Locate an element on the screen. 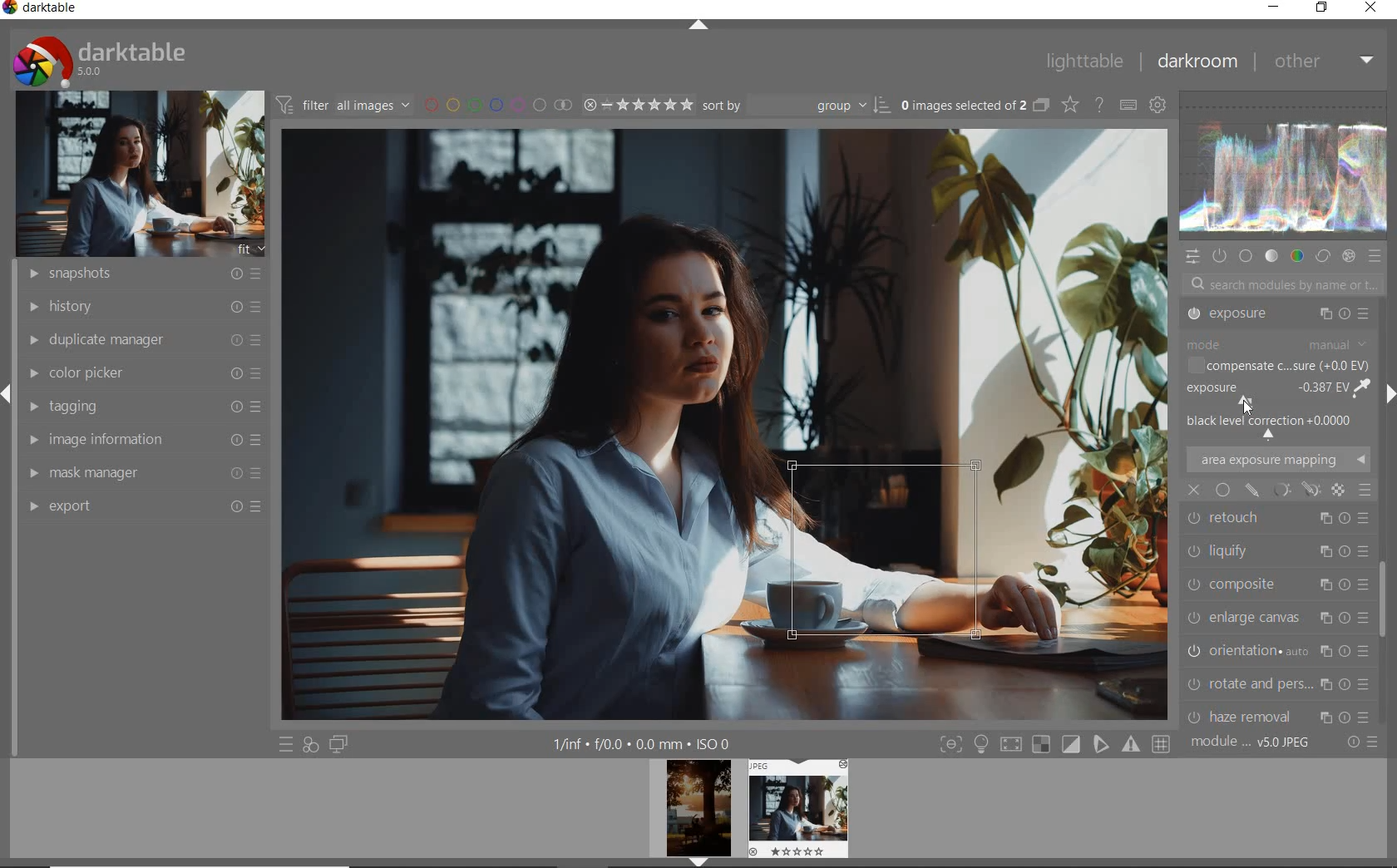 This screenshot has width=1397, height=868. QUICK ACCESS PANEL is located at coordinates (1192, 257).